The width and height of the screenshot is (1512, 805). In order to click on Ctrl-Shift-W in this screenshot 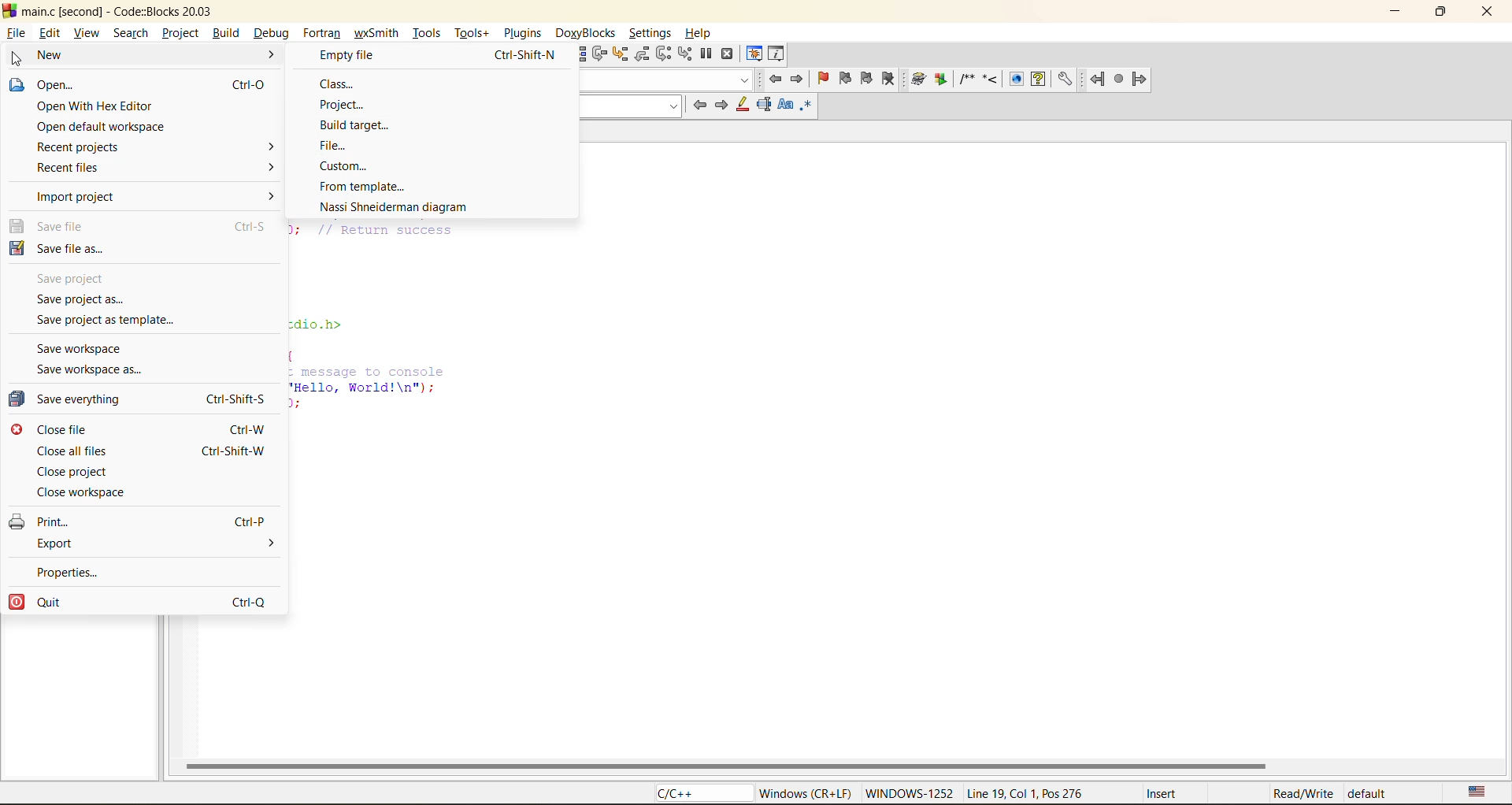, I will do `click(236, 451)`.